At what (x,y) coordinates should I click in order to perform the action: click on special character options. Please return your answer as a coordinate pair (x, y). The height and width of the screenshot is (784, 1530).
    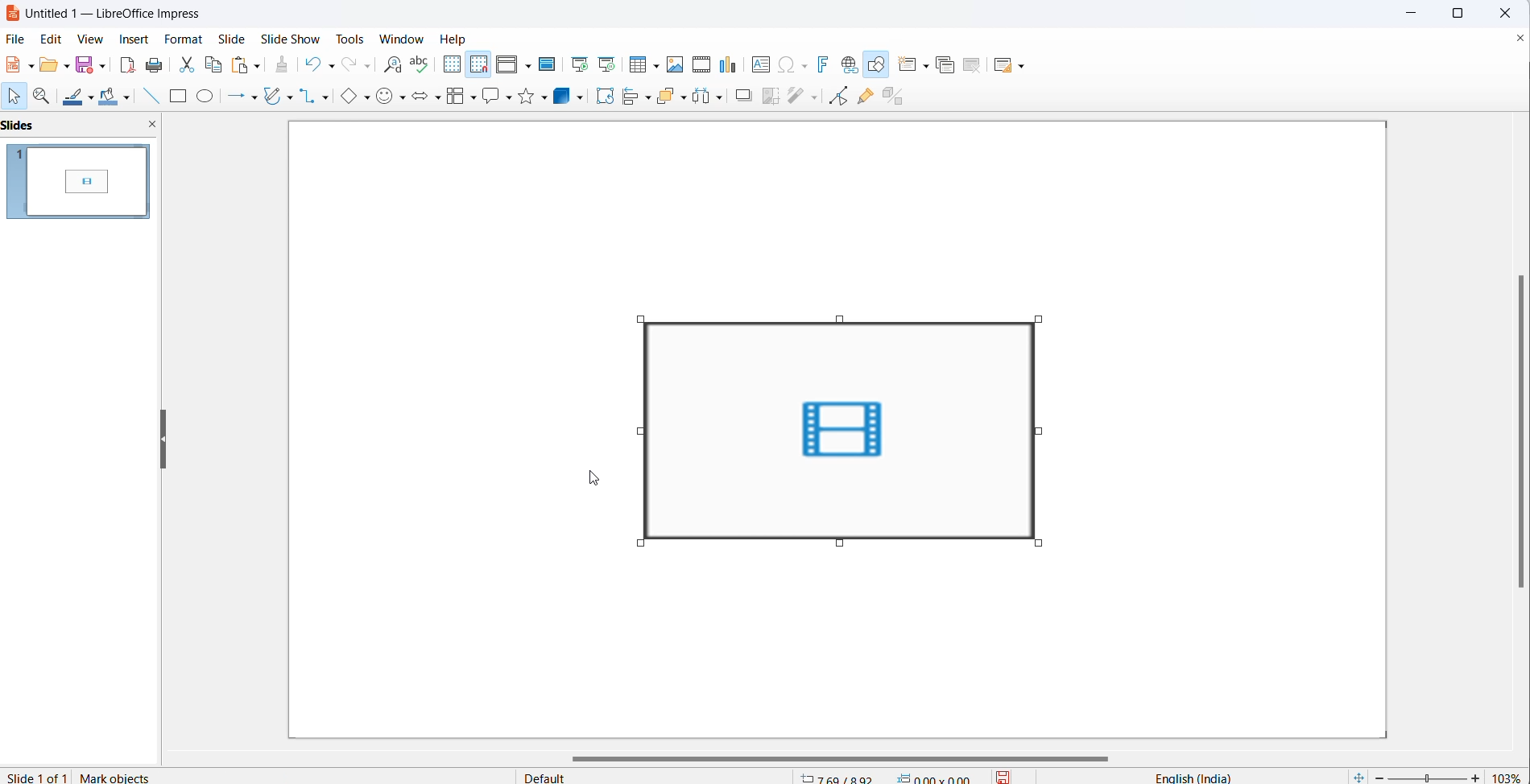
    Looking at the image, I should click on (806, 65).